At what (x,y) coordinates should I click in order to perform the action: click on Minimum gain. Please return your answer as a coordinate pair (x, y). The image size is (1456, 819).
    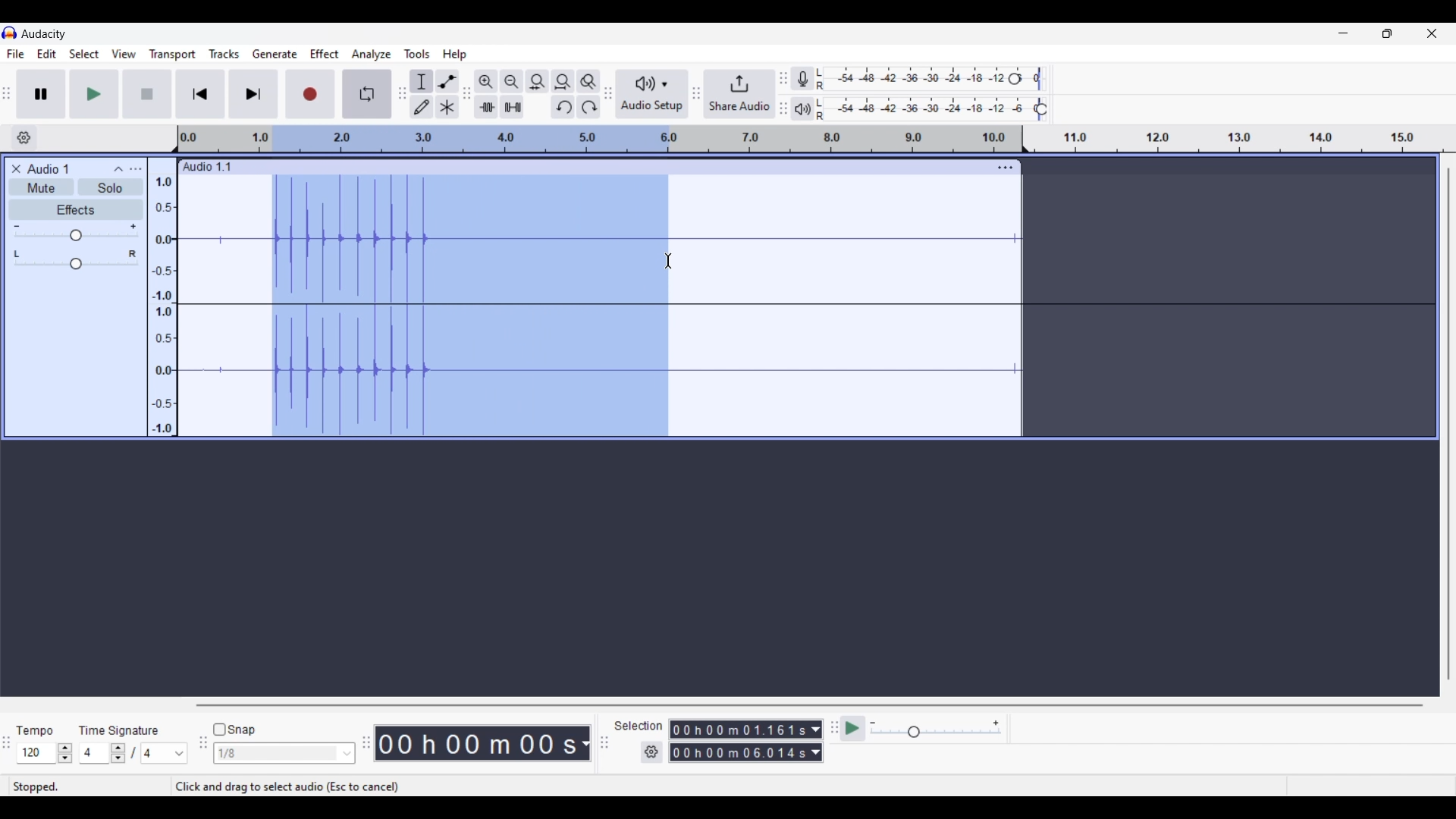
    Looking at the image, I should click on (16, 226).